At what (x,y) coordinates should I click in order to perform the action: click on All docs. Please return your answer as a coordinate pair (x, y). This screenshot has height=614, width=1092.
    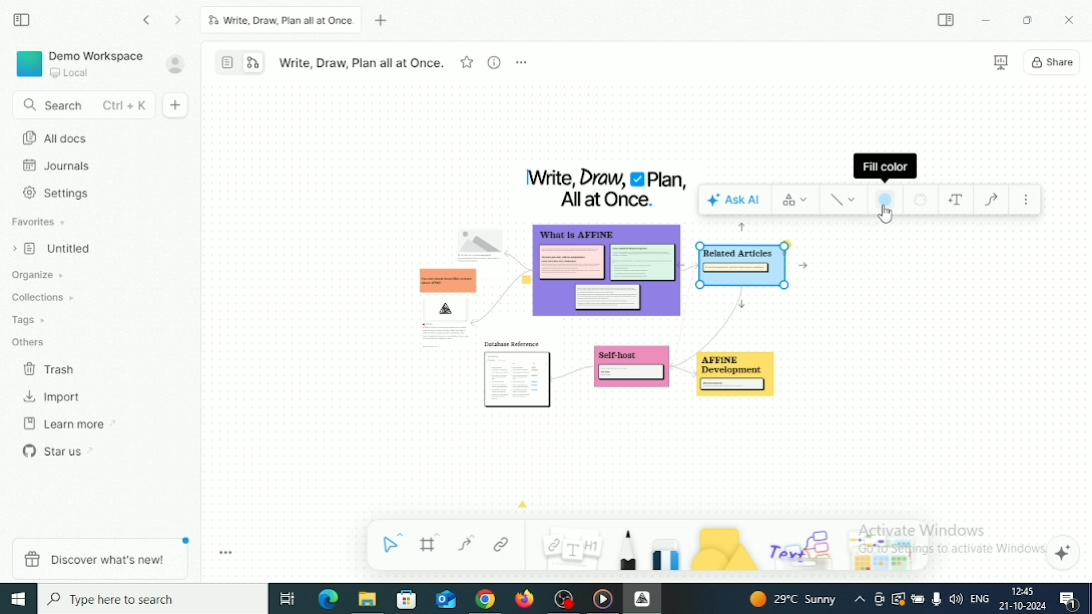
    Looking at the image, I should click on (55, 138).